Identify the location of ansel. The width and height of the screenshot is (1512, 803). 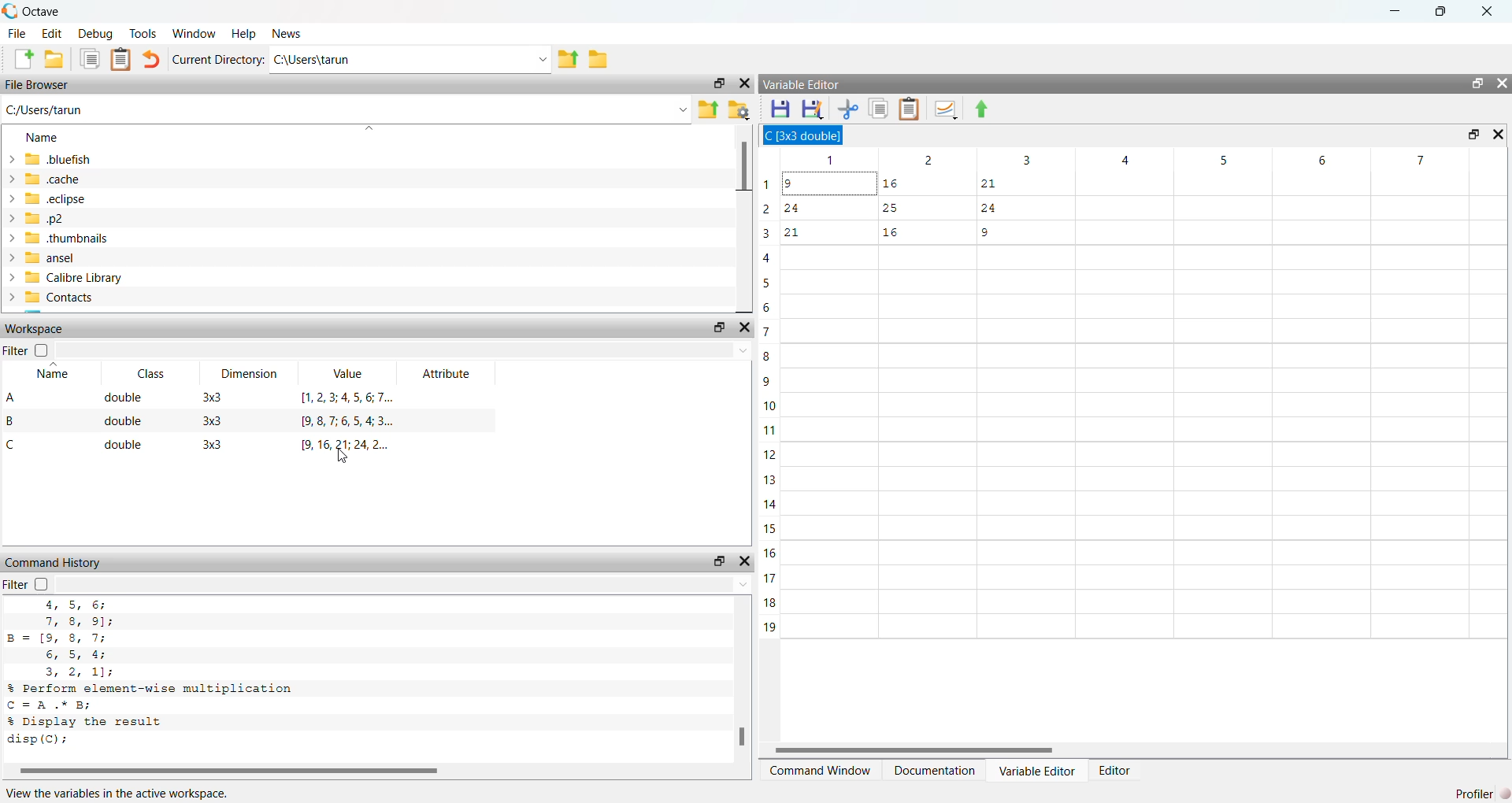
(40, 258).